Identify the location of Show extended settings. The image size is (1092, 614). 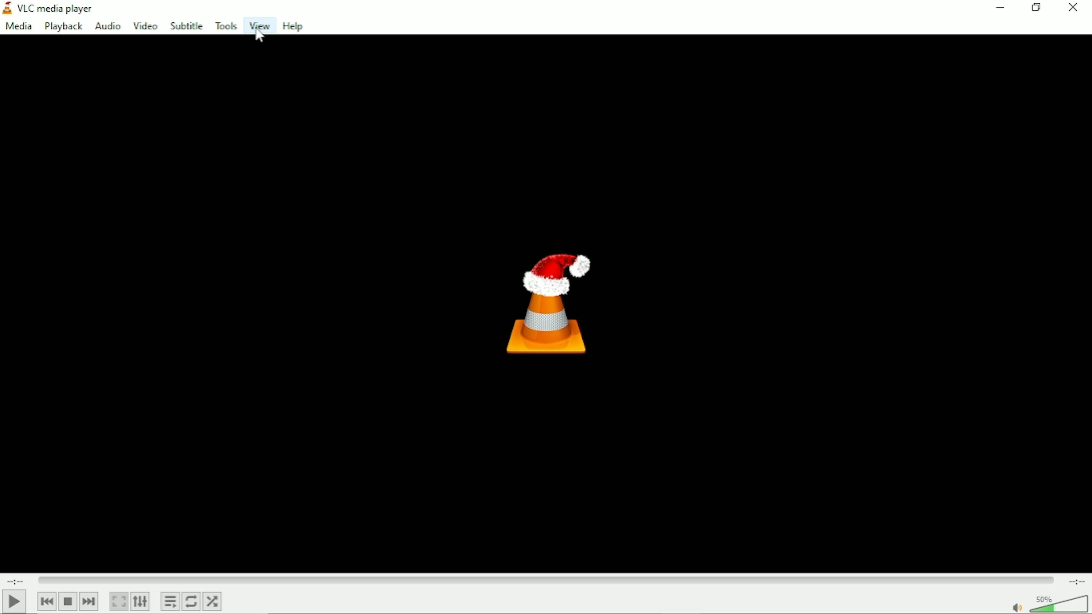
(140, 602).